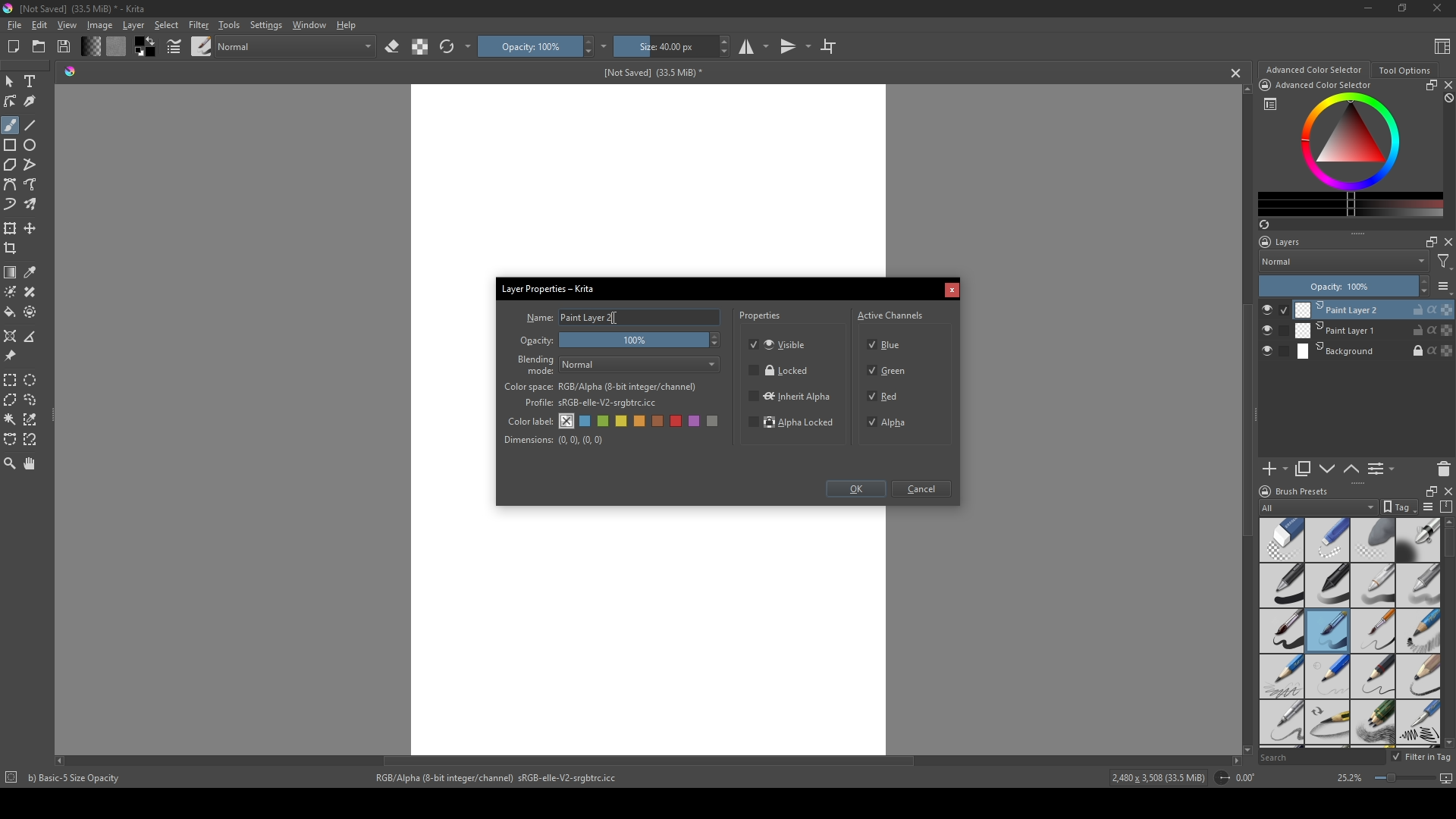 This screenshot has height=819, width=1456. I want to click on calligraphy, so click(32, 101).